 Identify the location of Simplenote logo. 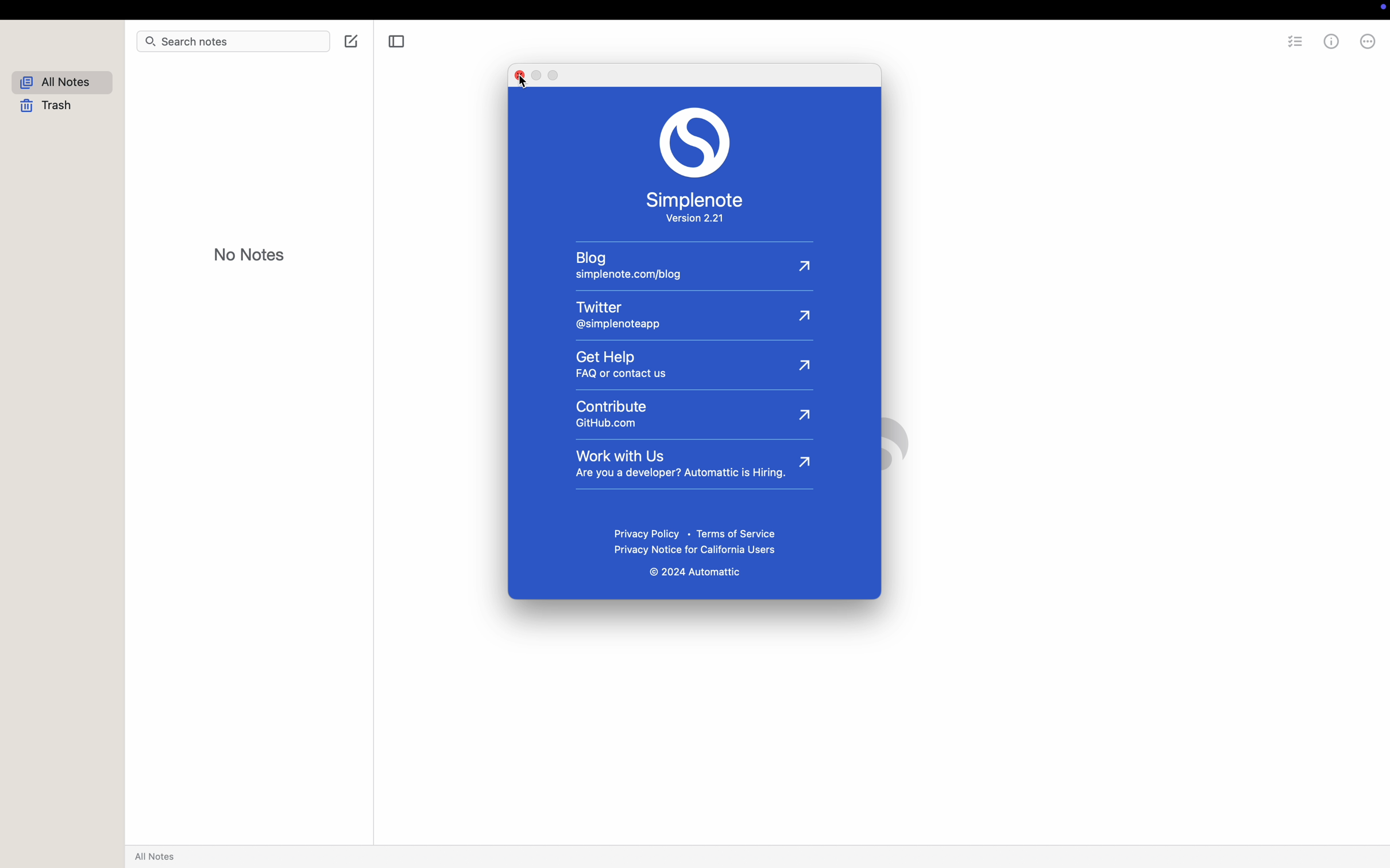
(695, 142).